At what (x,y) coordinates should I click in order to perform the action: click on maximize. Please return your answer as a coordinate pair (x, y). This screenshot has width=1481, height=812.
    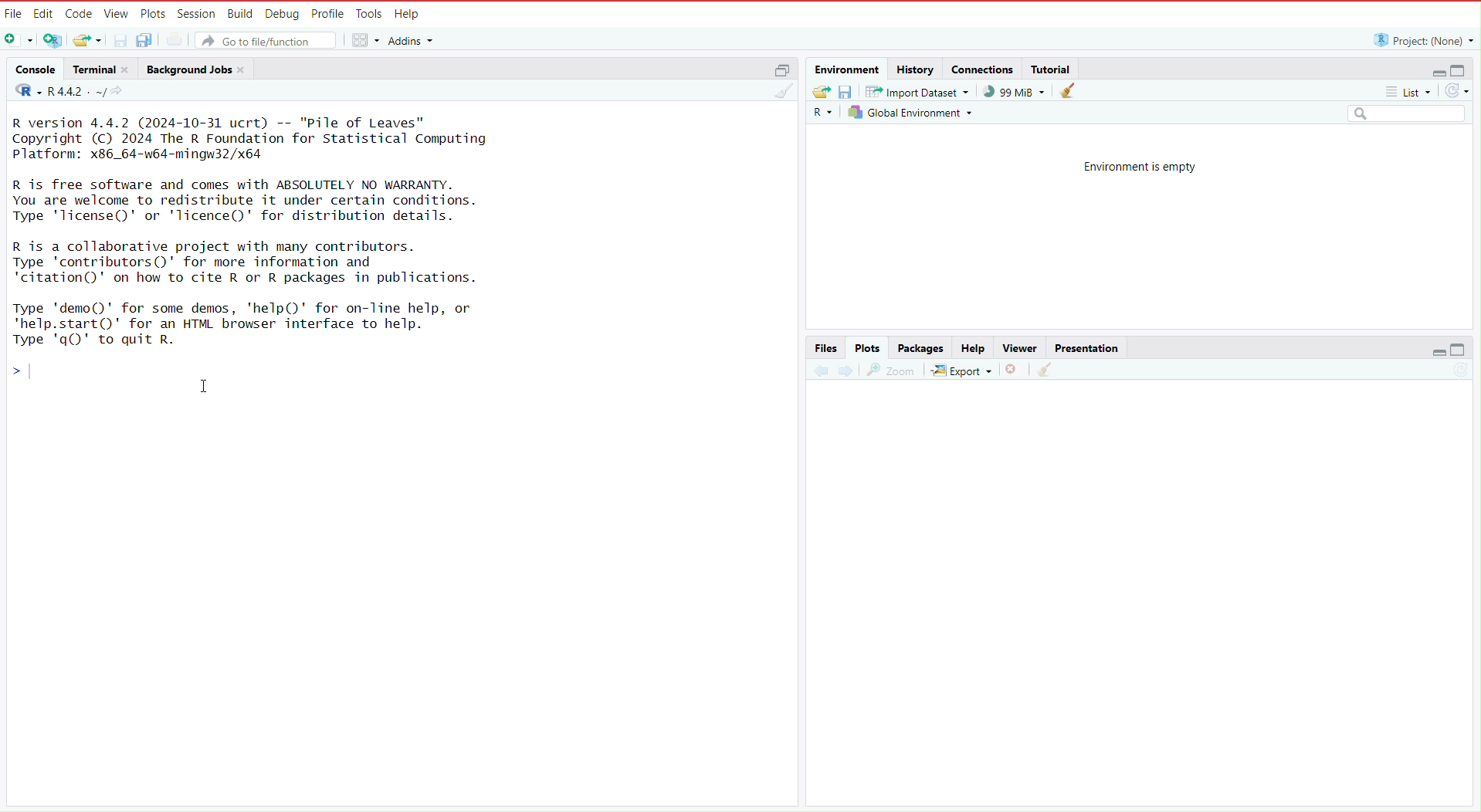
    Looking at the image, I should click on (1464, 68).